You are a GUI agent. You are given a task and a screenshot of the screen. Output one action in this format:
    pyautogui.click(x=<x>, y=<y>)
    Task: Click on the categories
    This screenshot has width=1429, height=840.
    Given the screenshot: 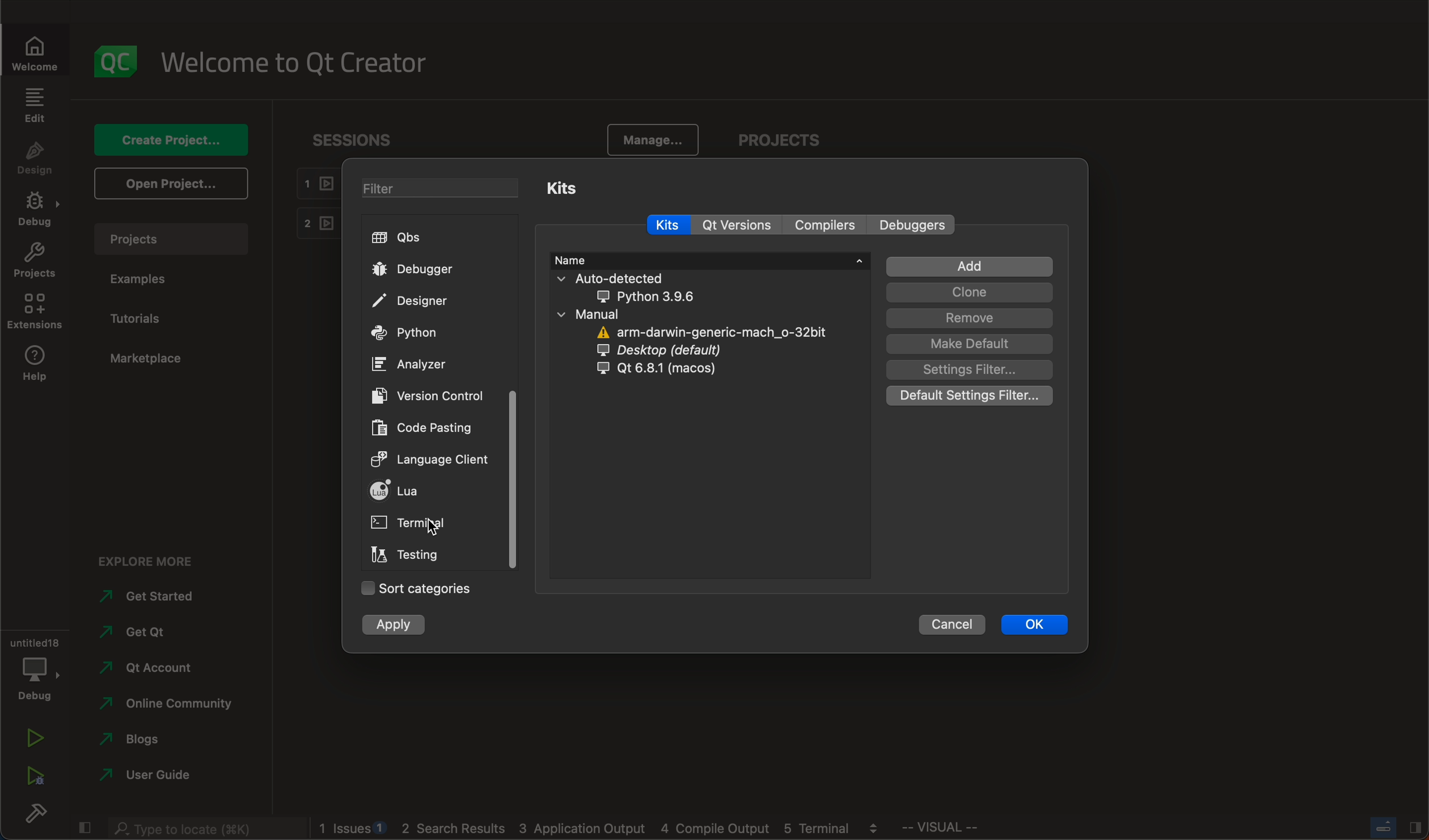 What is the action you would take?
    pyautogui.click(x=413, y=590)
    